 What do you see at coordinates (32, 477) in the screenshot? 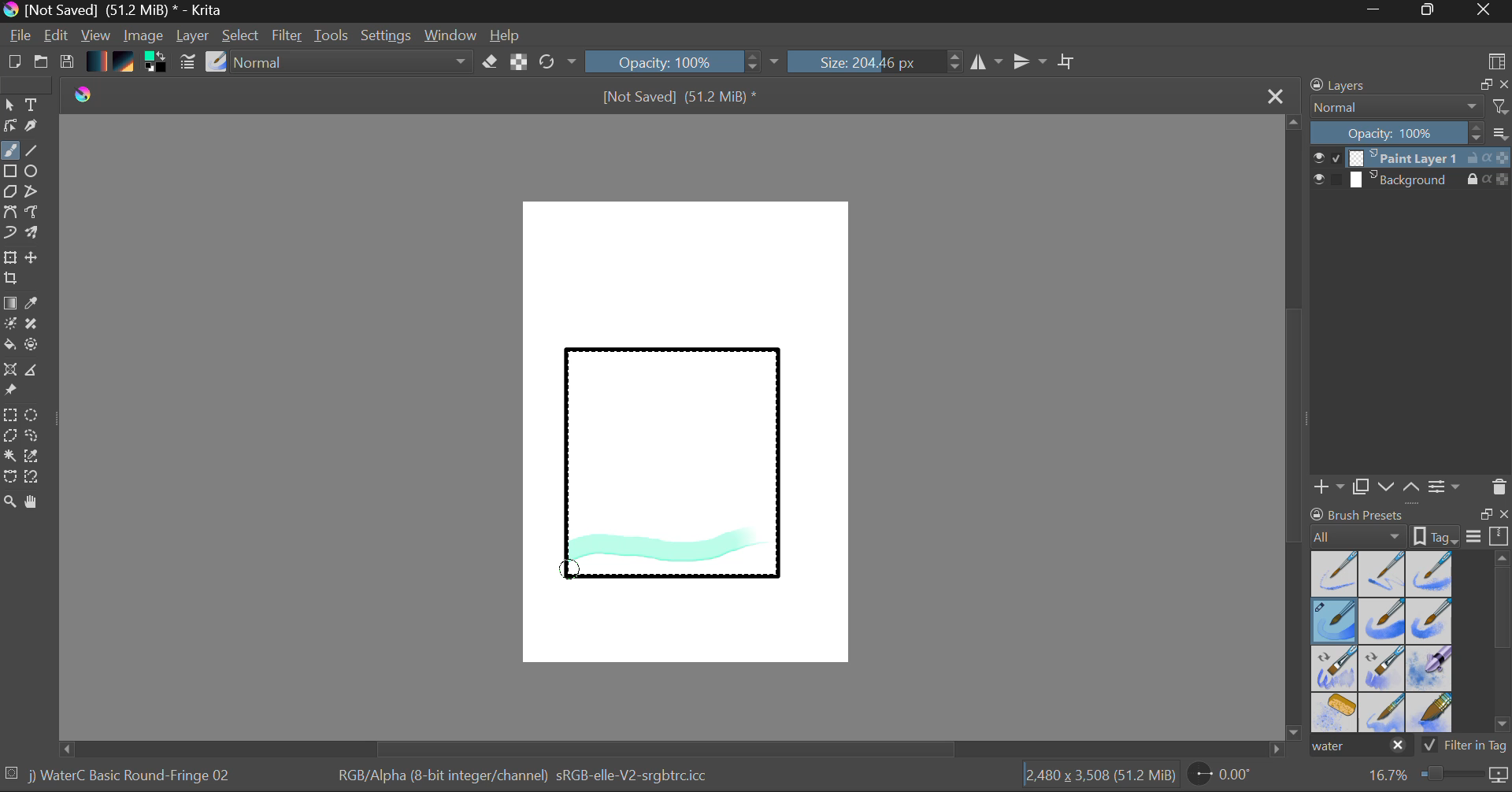
I see `Magnetic Selection Tool` at bounding box center [32, 477].